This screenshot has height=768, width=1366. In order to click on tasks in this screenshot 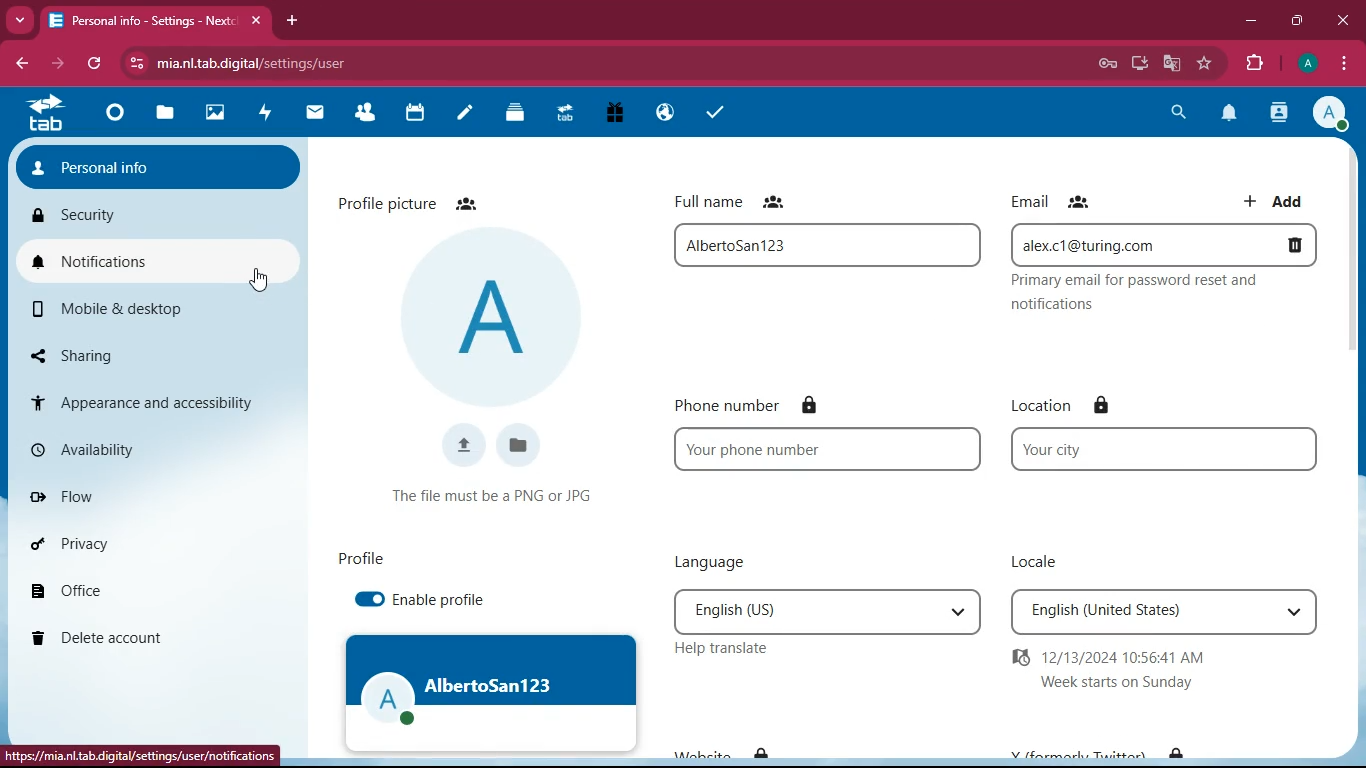, I will do `click(718, 112)`.